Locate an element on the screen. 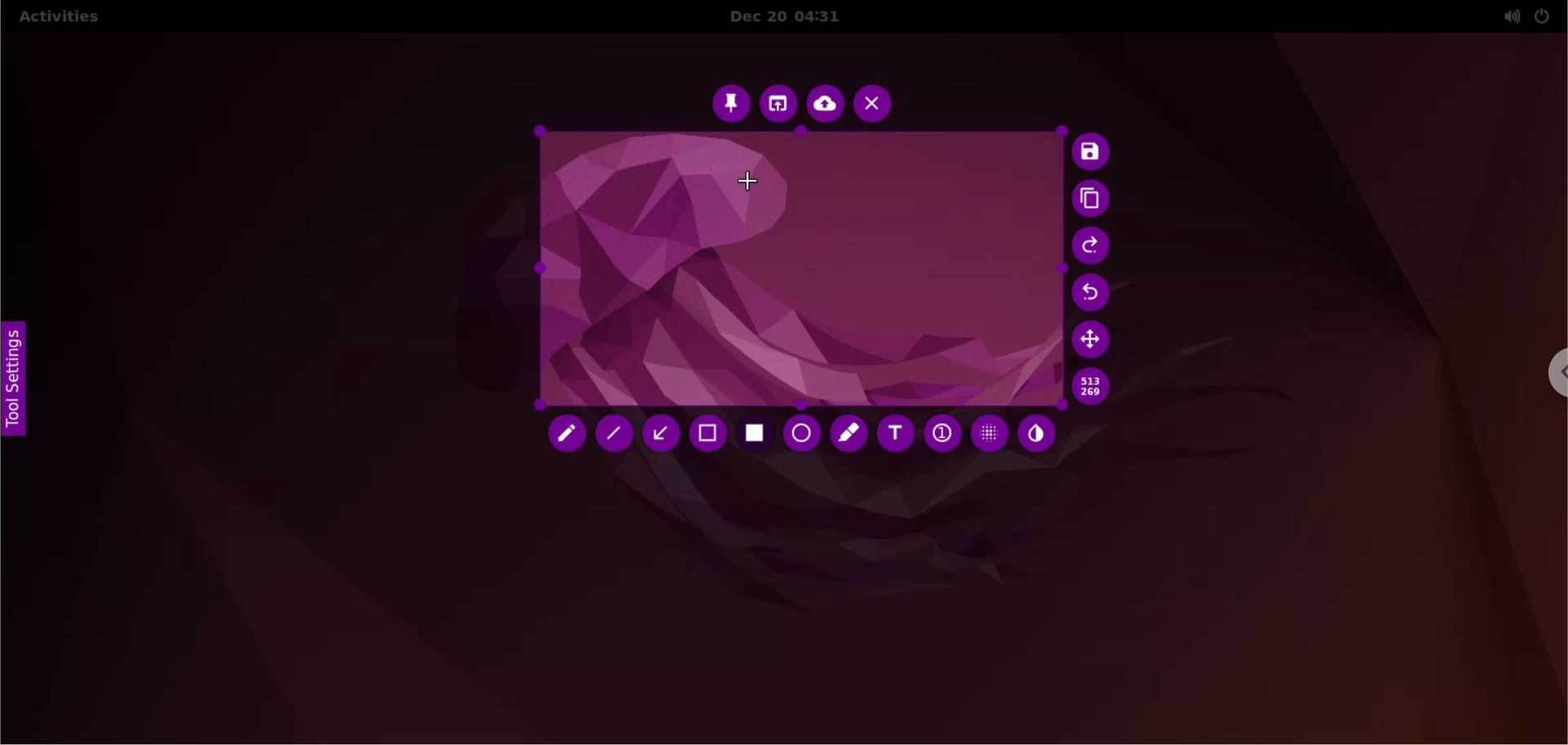 This screenshot has width=1568, height=745. auto increment is located at coordinates (940, 434).